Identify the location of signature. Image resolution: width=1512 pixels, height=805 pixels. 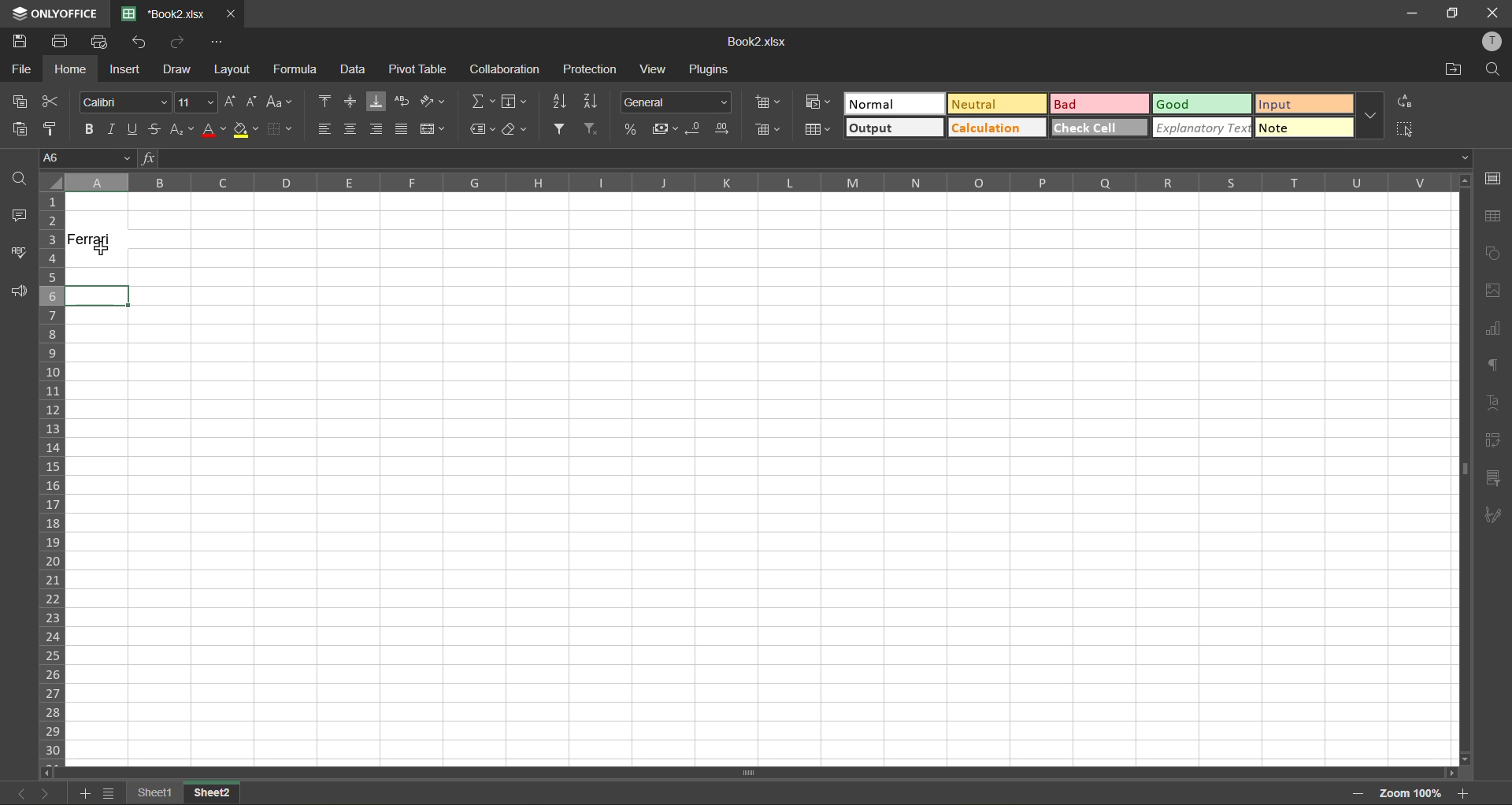
(1494, 512).